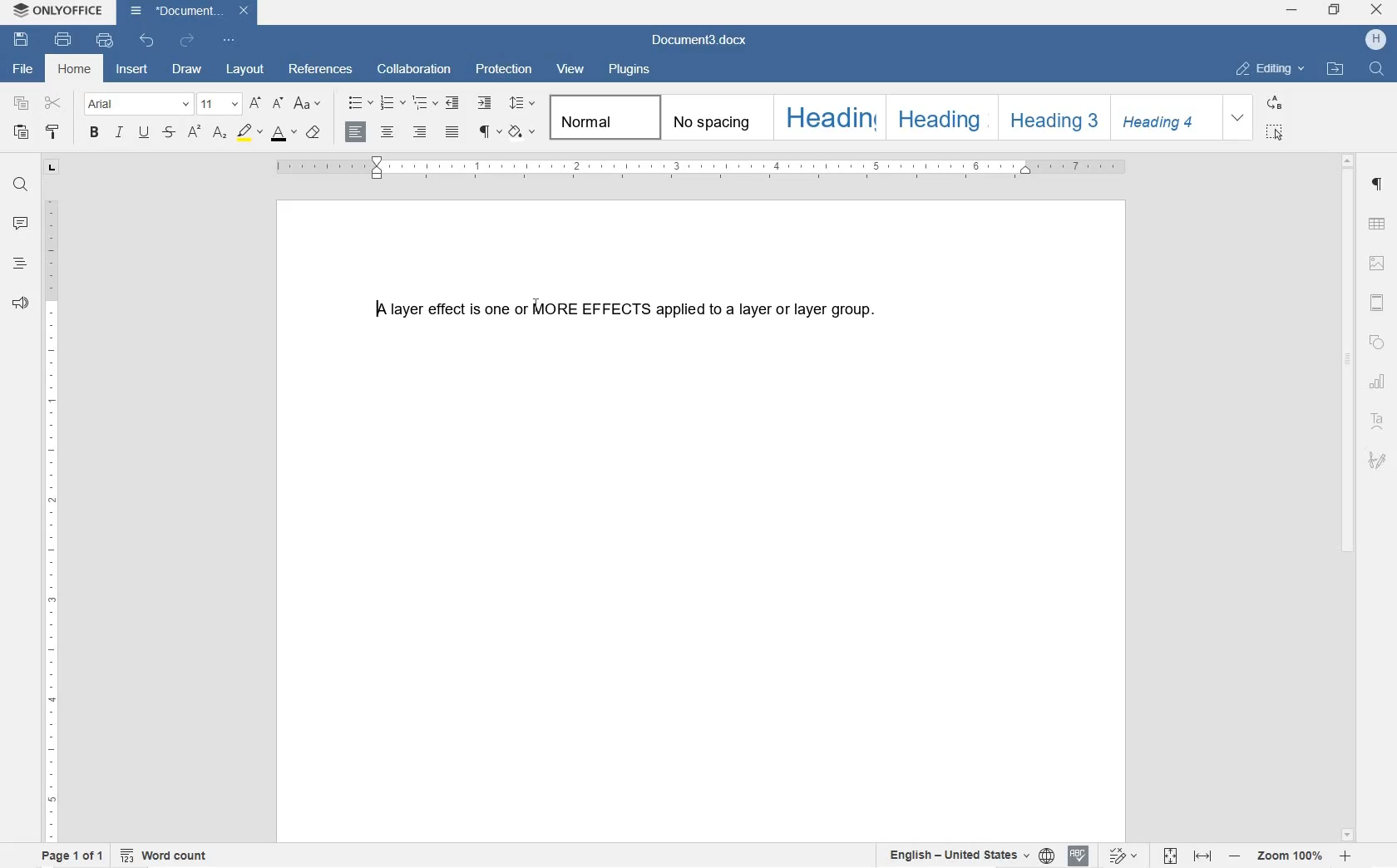 The height and width of the screenshot is (868, 1397). I want to click on MULTILEVEL LISTS, so click(427, 105).